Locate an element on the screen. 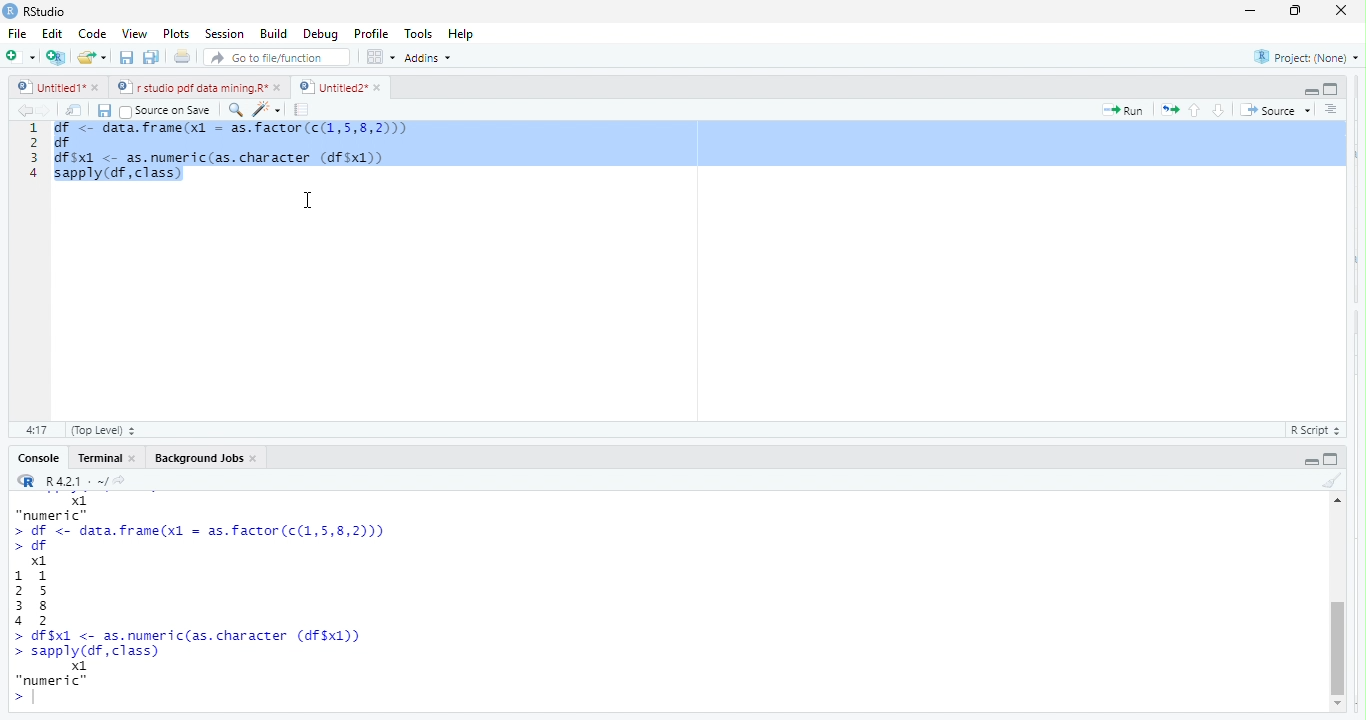  close is located at coordinates (279, 87).